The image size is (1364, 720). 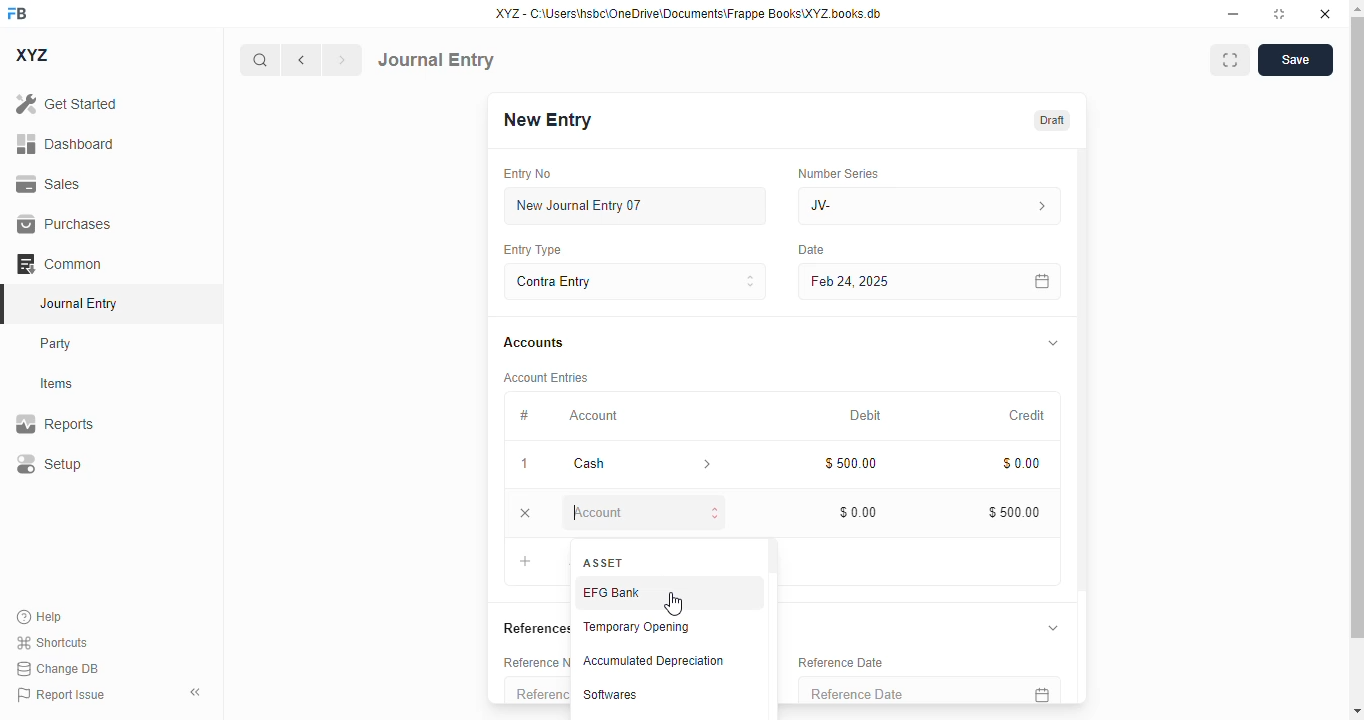 I want to click on common, so click(x=59, y=263).